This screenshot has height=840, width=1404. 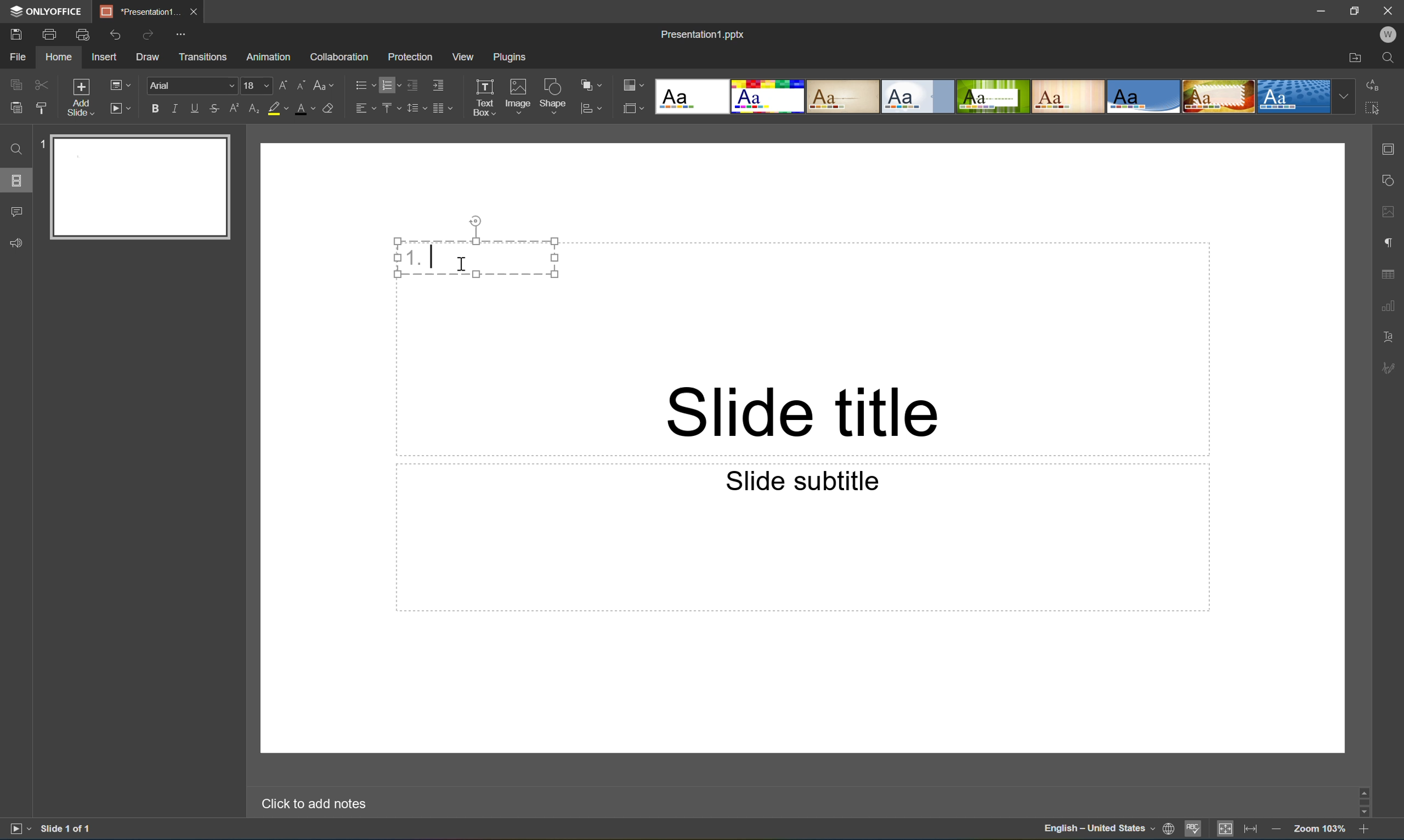 What do you see at coordinates (121, 109) in the screenshot?
I see `Slide show` at bounding box center [121, 109].